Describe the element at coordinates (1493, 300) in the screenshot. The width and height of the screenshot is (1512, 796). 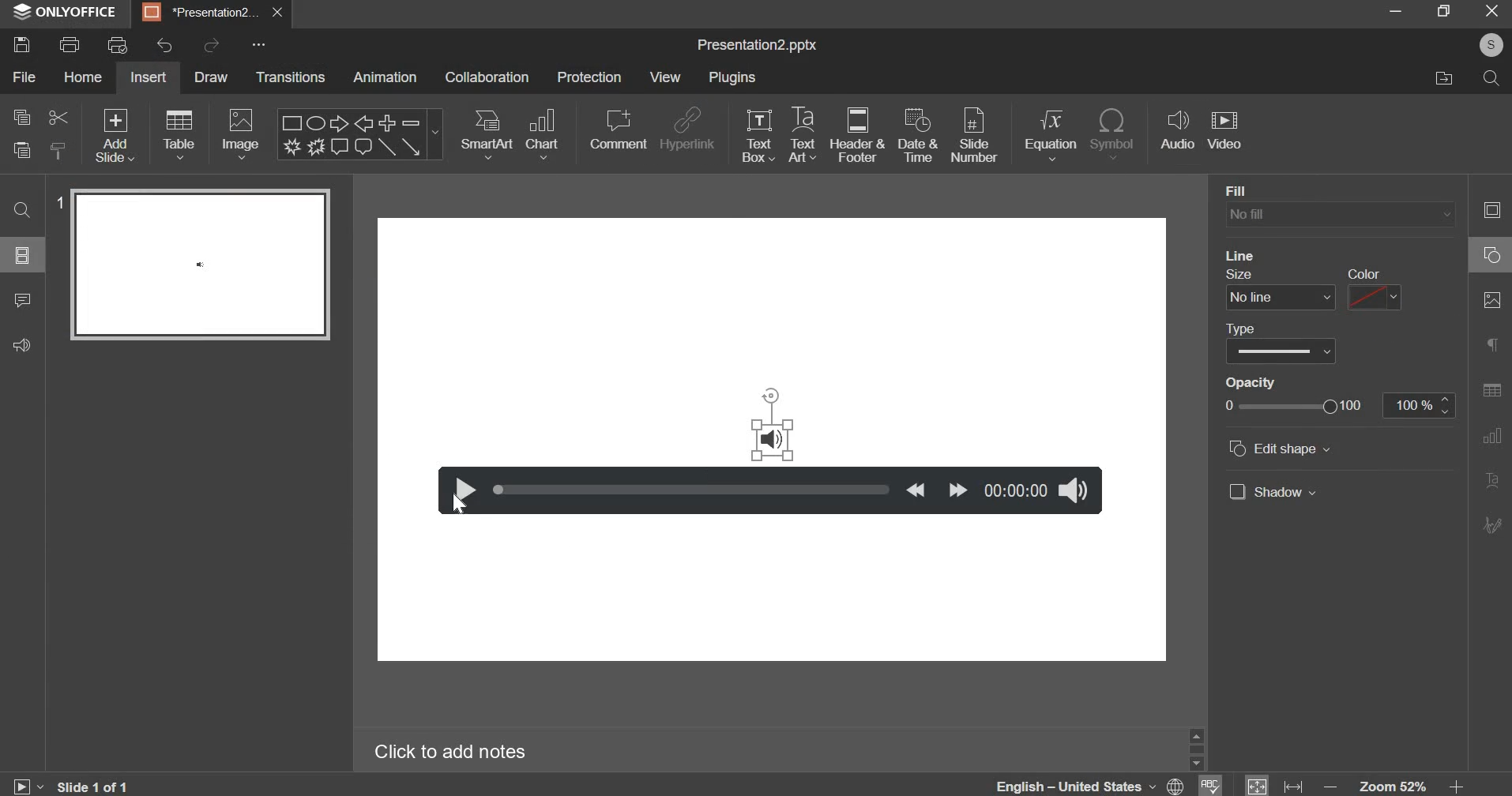
I see `image settings` at that location.